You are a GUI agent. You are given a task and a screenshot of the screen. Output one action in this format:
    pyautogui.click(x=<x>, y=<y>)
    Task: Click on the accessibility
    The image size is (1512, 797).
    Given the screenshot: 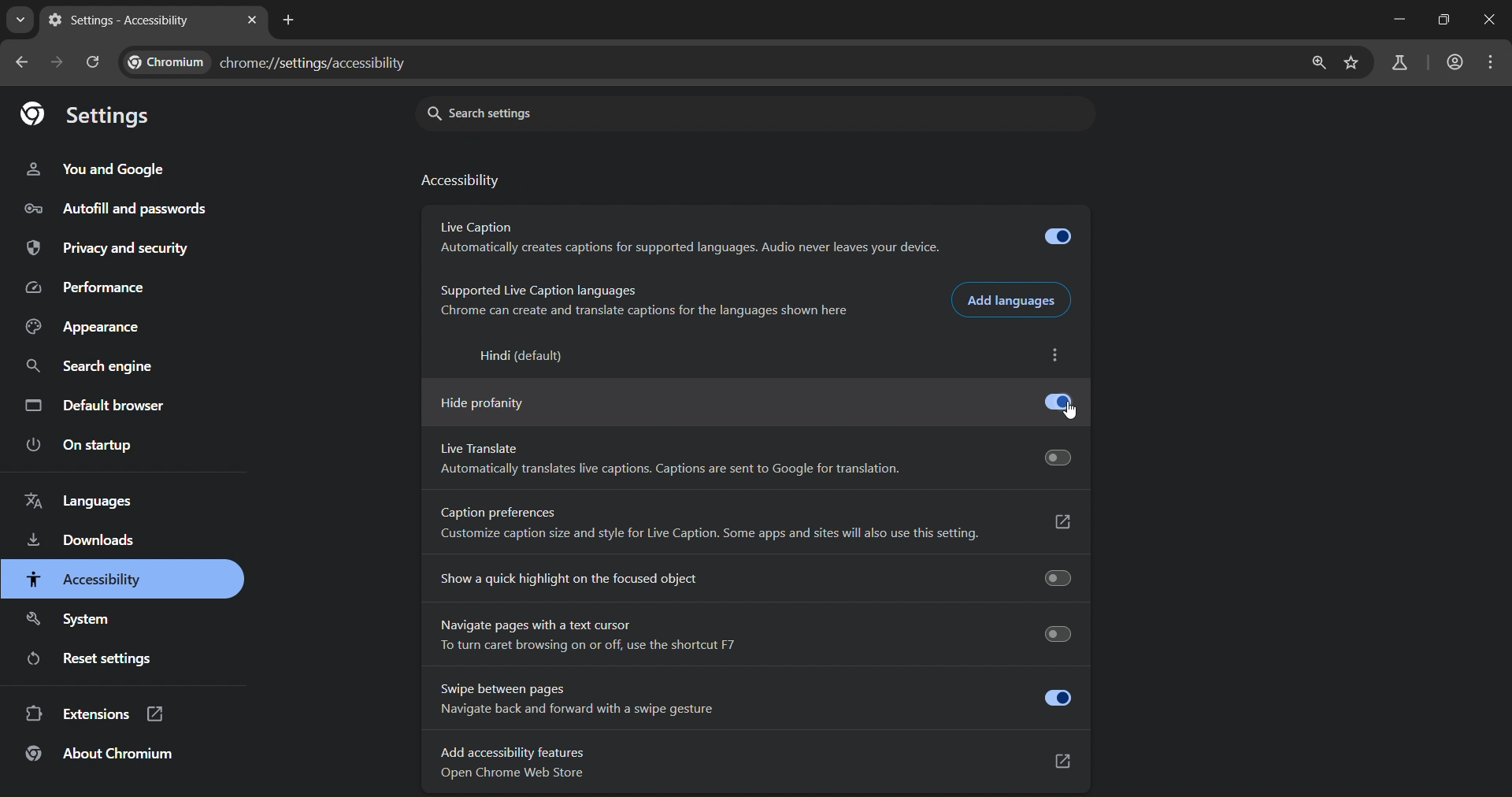 What is the action you would take?
    pyautogui.click(x=86, y=580)
    